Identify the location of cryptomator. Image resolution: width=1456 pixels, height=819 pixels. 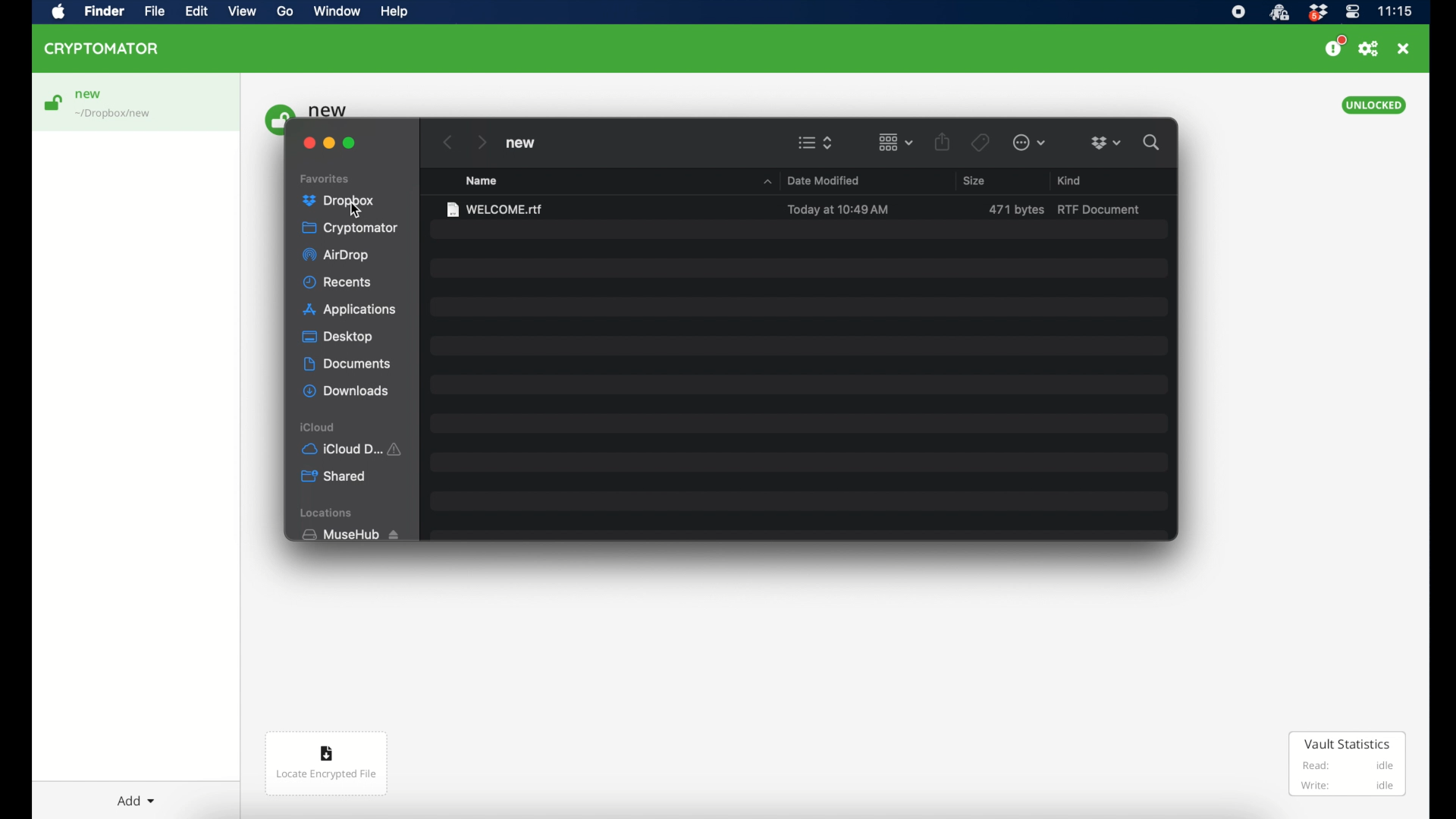
(351, 227).